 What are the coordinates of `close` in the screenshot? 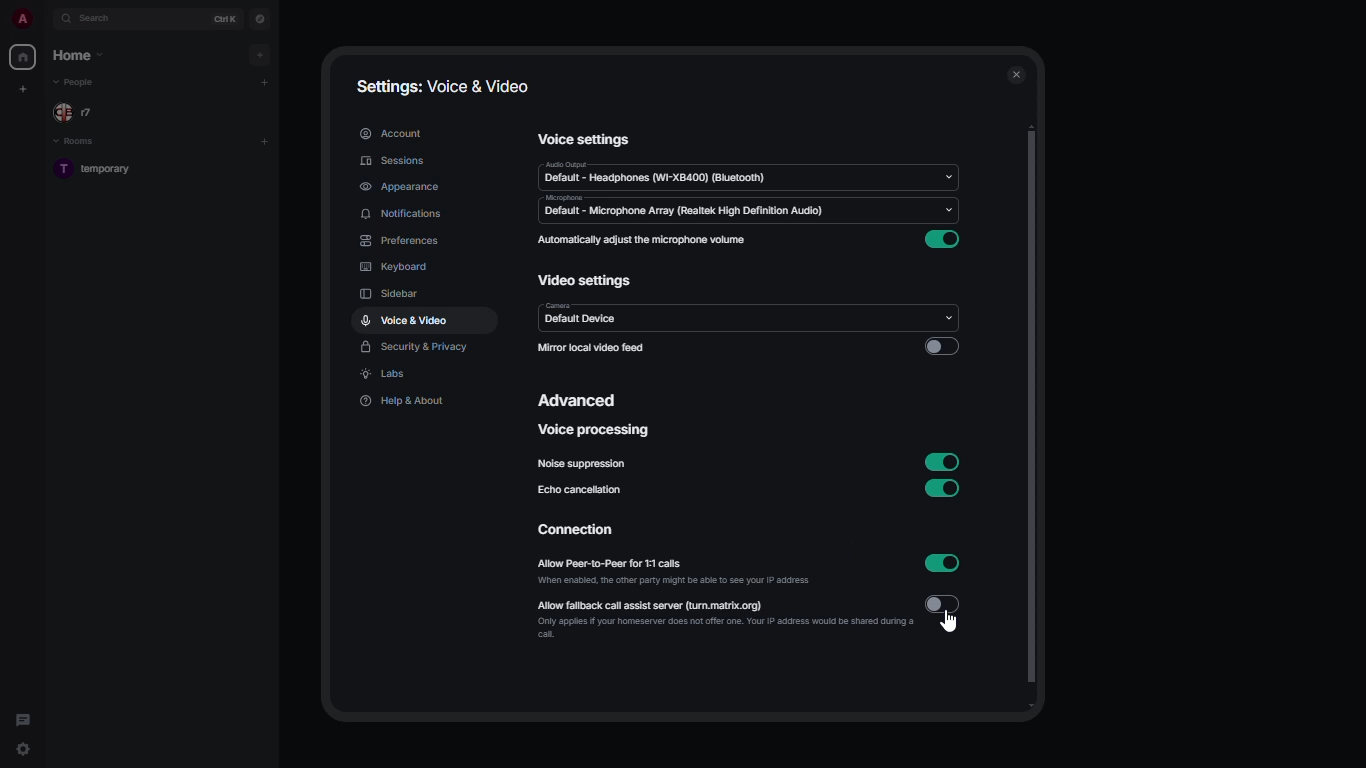 It's located at (1016, 74).